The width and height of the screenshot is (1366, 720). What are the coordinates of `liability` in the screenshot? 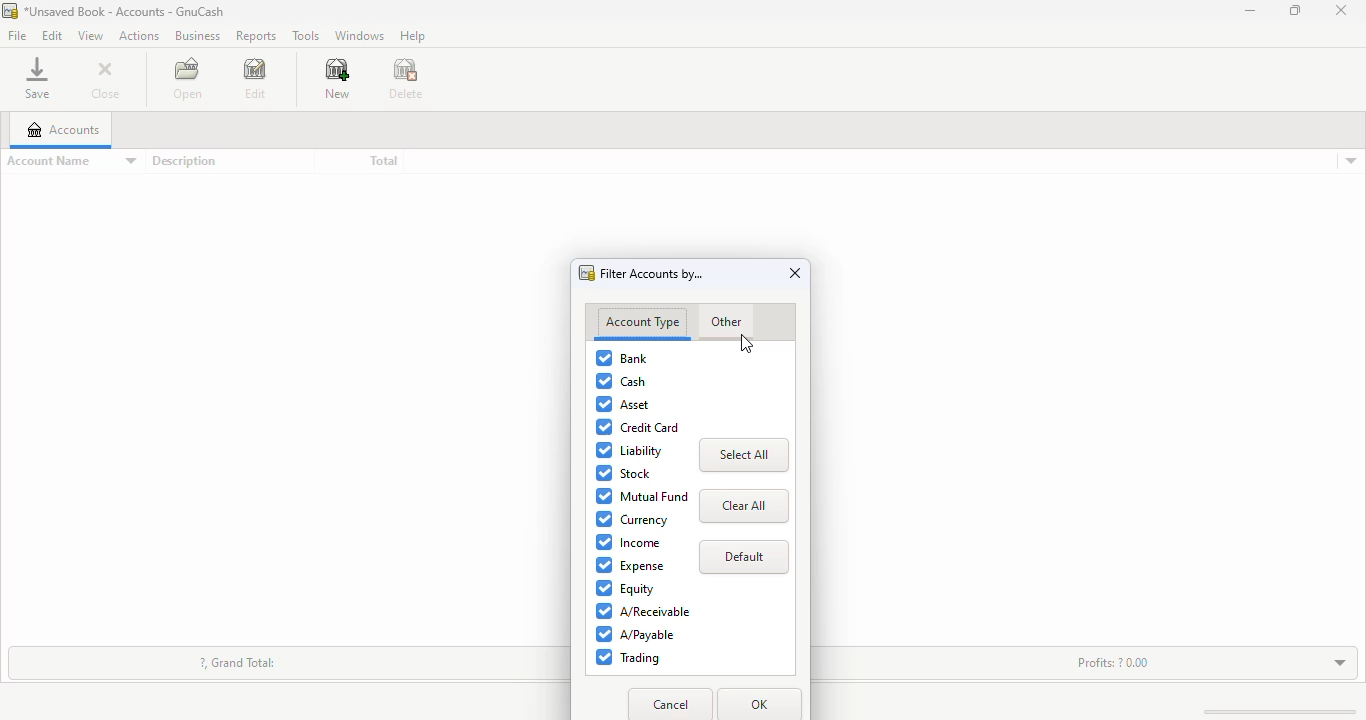 It's located at (630, 451).